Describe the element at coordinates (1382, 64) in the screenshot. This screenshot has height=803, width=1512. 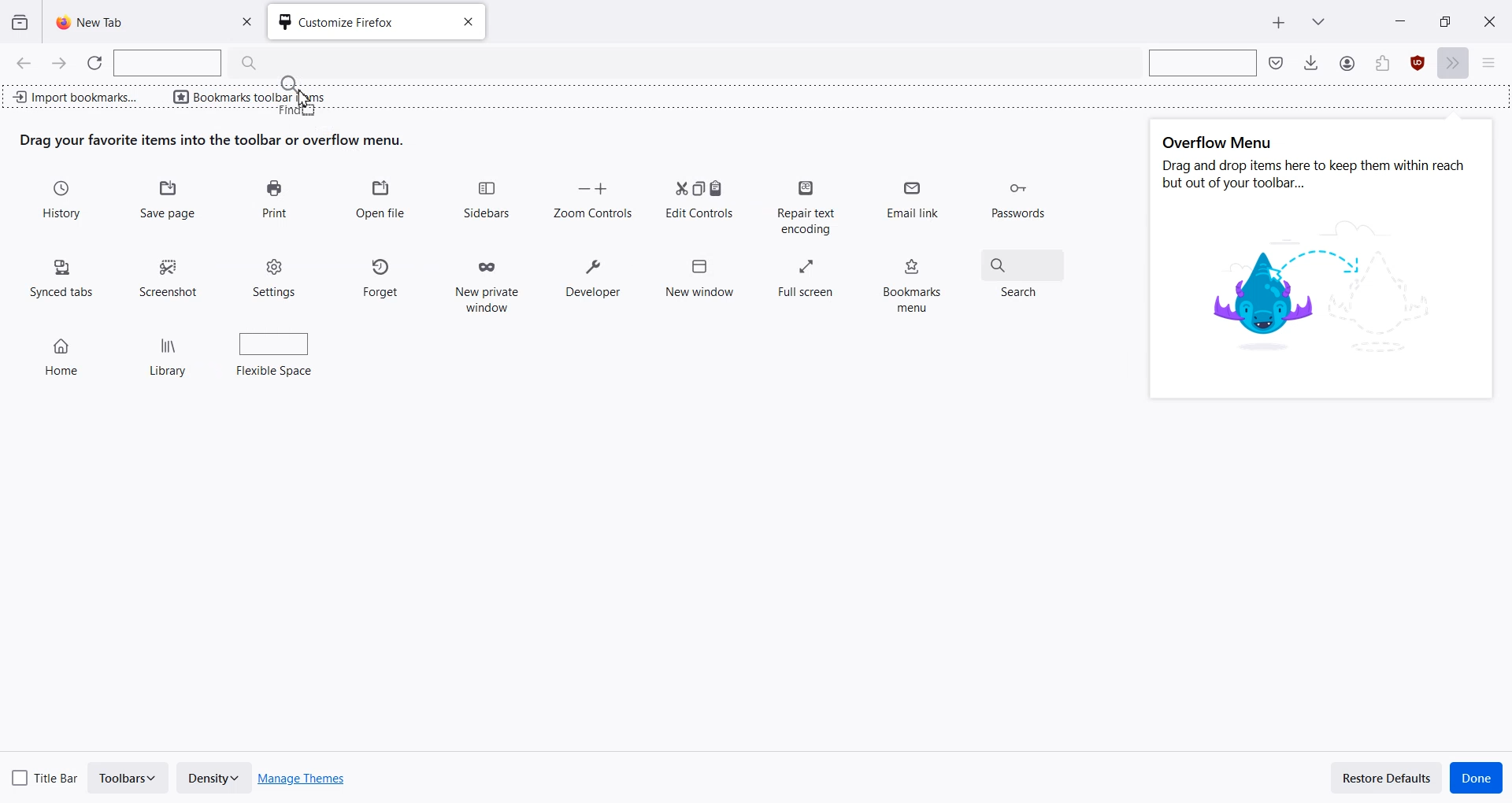
I see `Account` at that location.